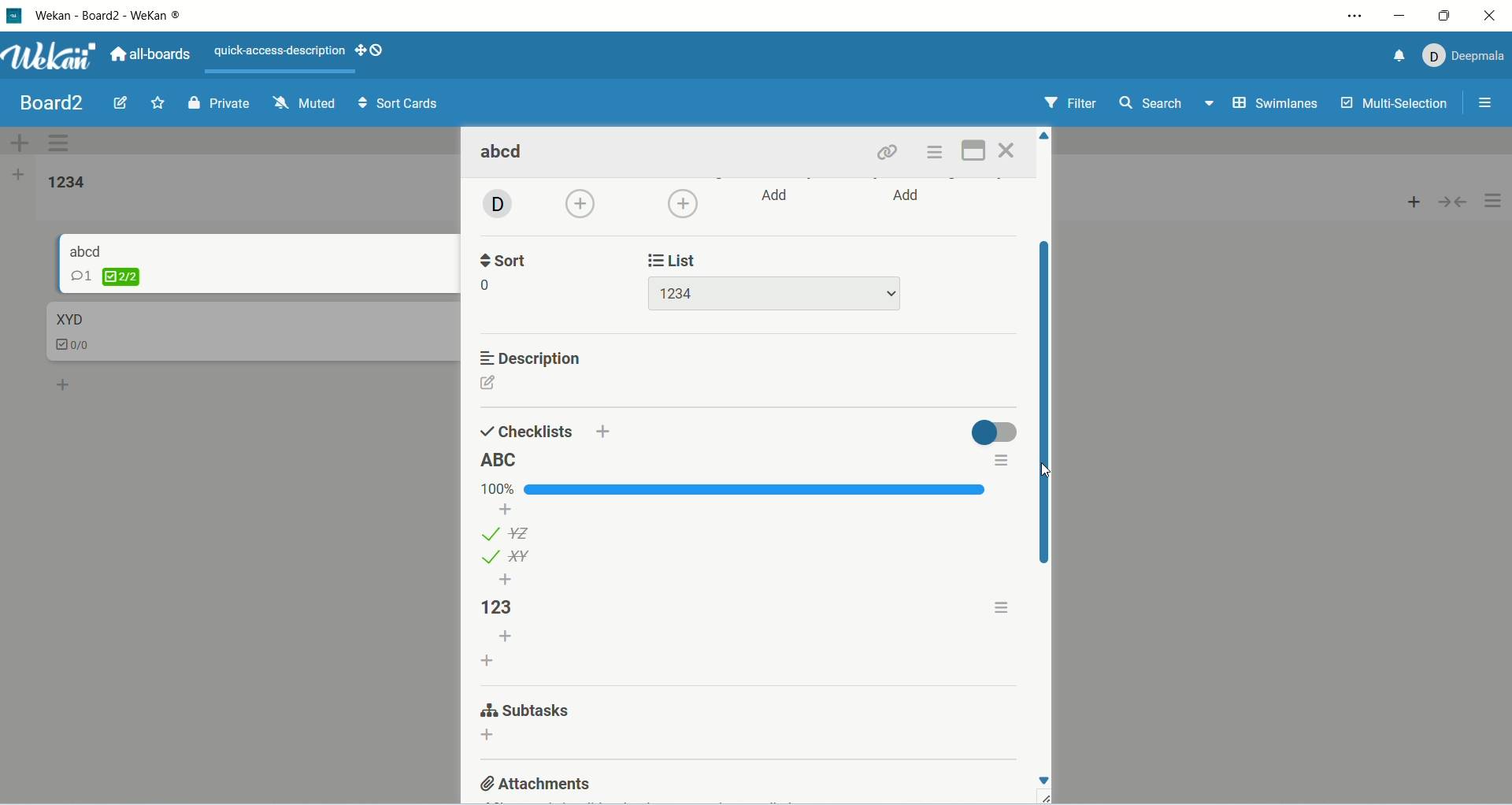 The height and width of the screenshot is (805, 1512). What do you see at coordinates (487, 737) in the screenshot?
I see `add` at bounding box center [487, 737].